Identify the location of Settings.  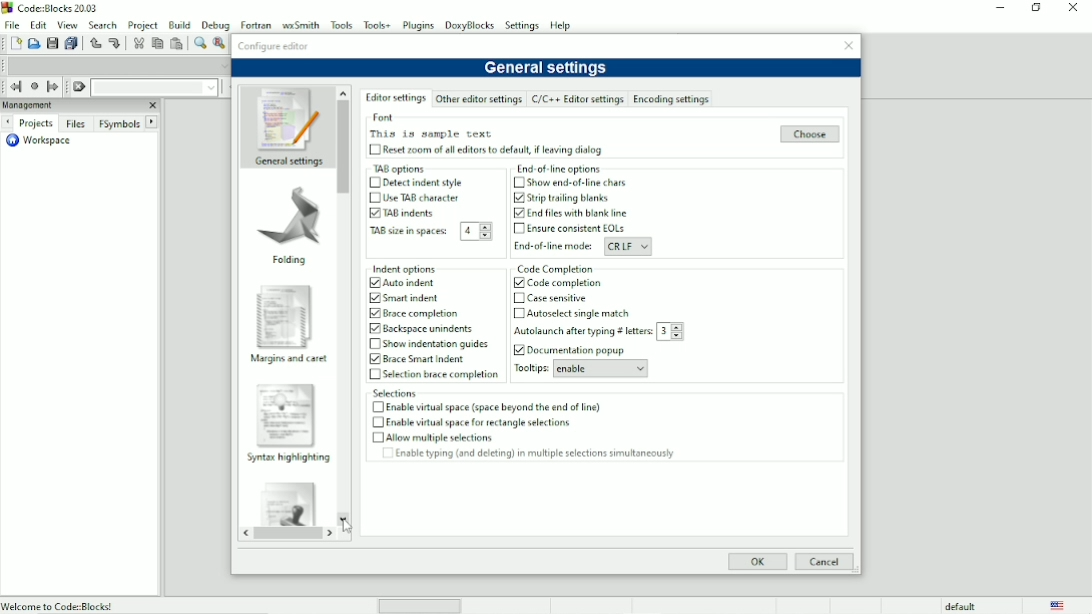
(523, 25).